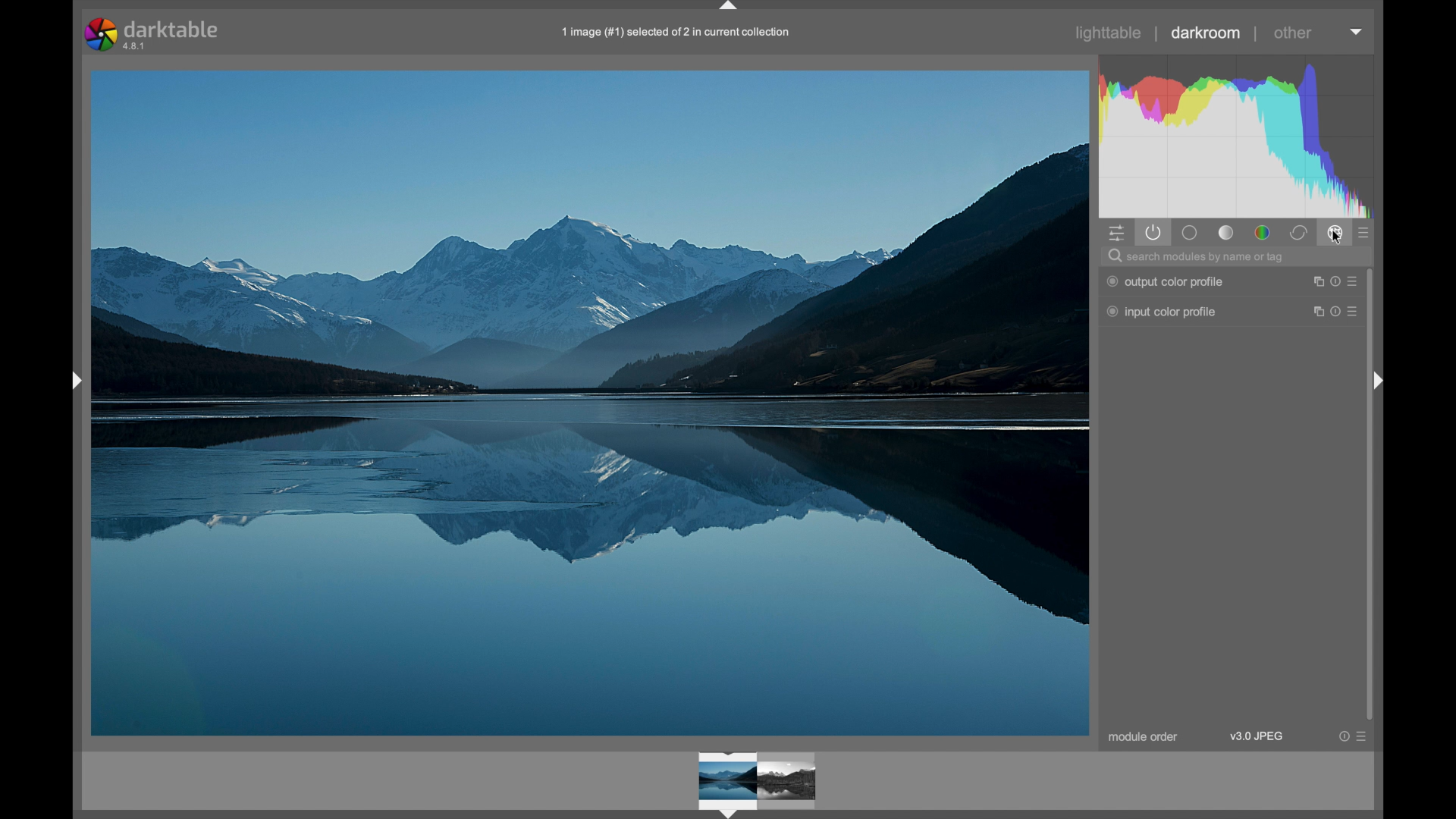 This screenshot has width=1456, height=819. Describe the element at coordinates (1379, 381) in the screenshot. I see `drag handle` at that location.